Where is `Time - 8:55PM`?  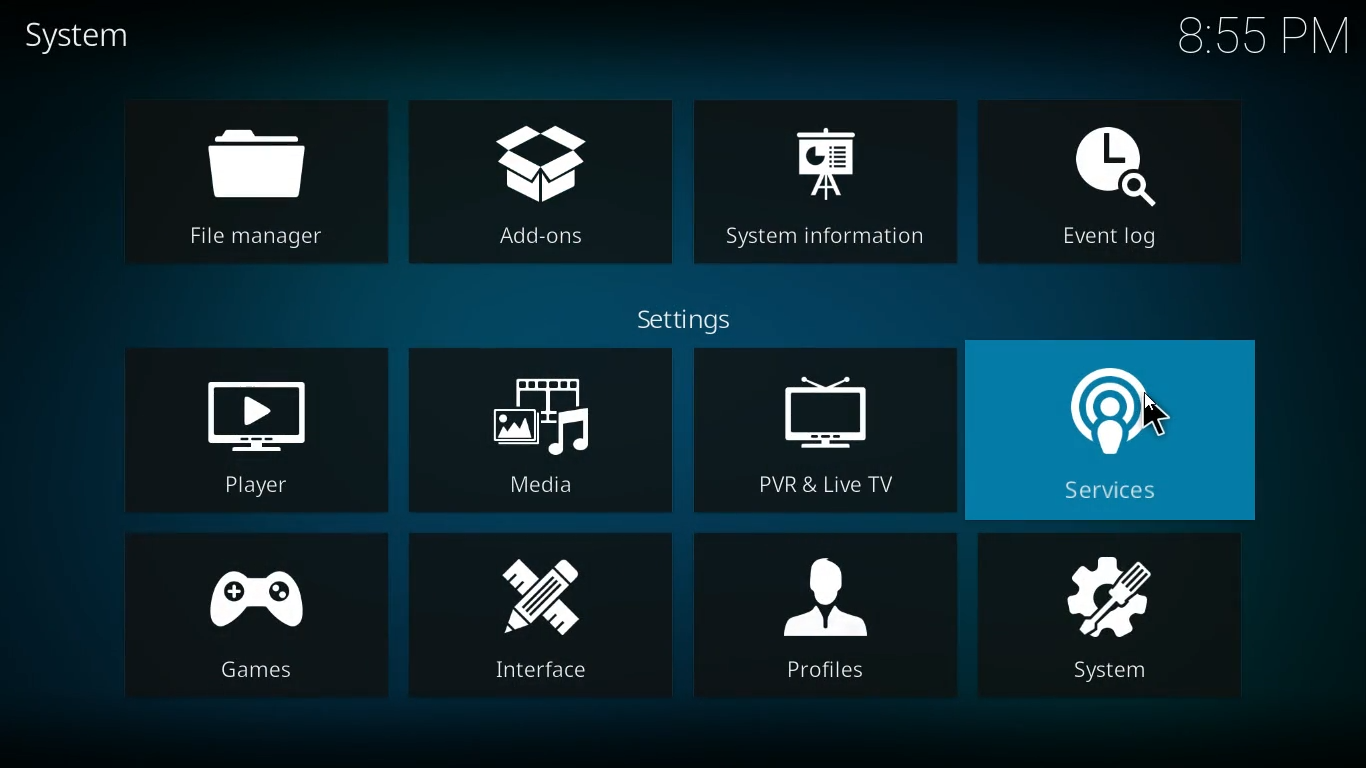
Time - 8:55PM is located at coordinates (1264, 35).